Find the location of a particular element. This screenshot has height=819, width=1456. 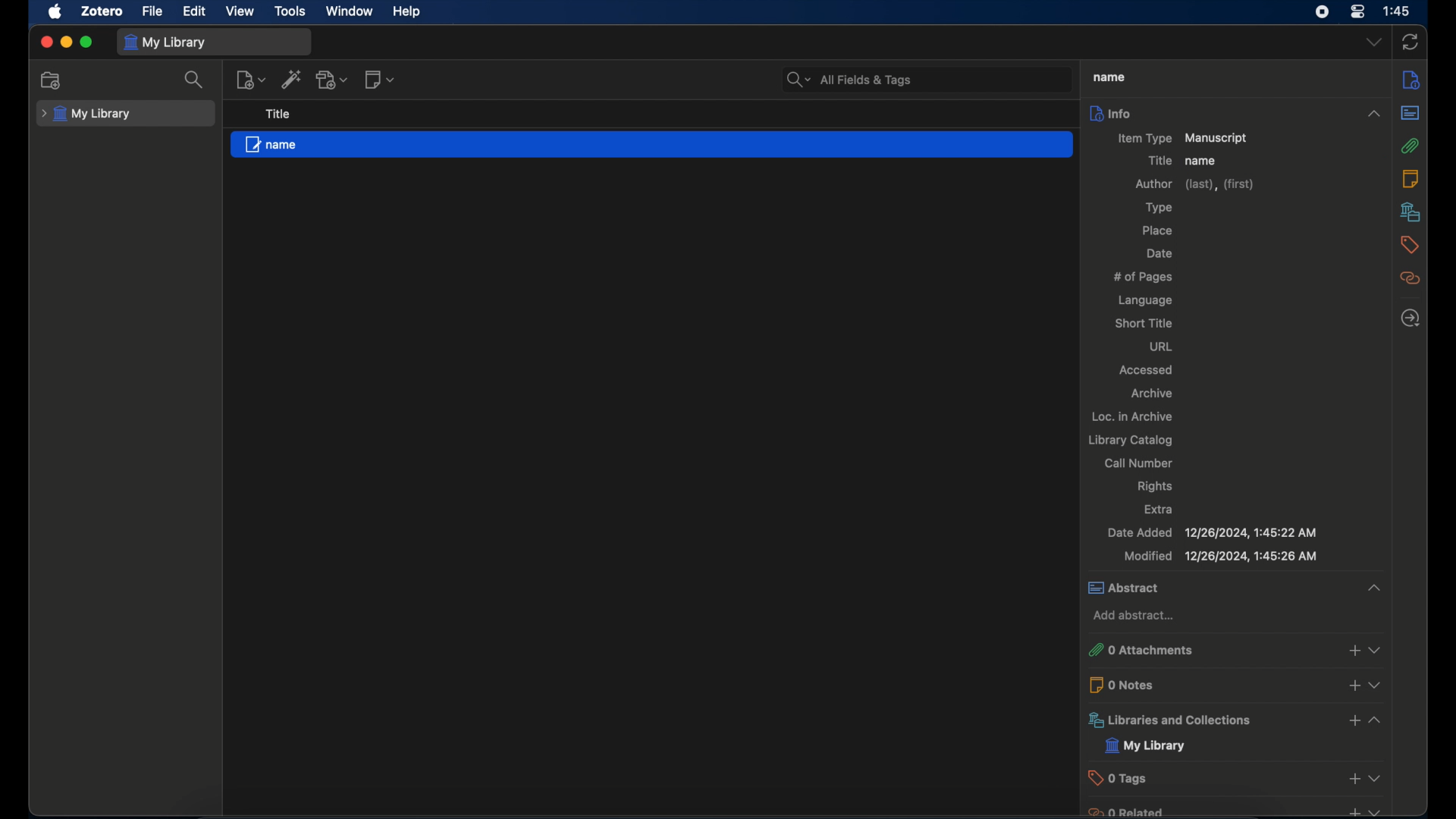

item type is located at coordinates (1182, 139).